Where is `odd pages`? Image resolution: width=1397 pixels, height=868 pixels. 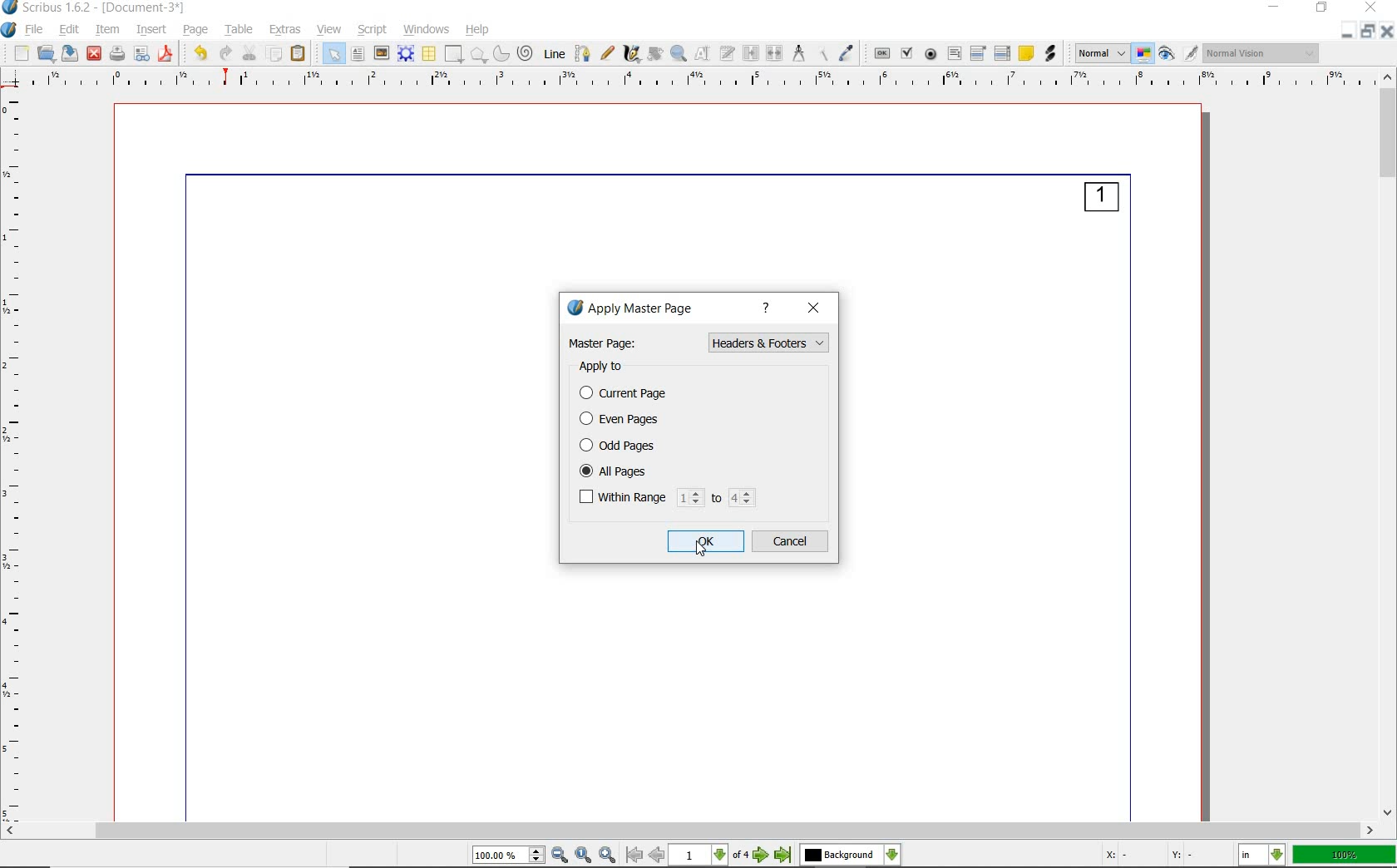 odd pages is located at coordinates (624, 446).